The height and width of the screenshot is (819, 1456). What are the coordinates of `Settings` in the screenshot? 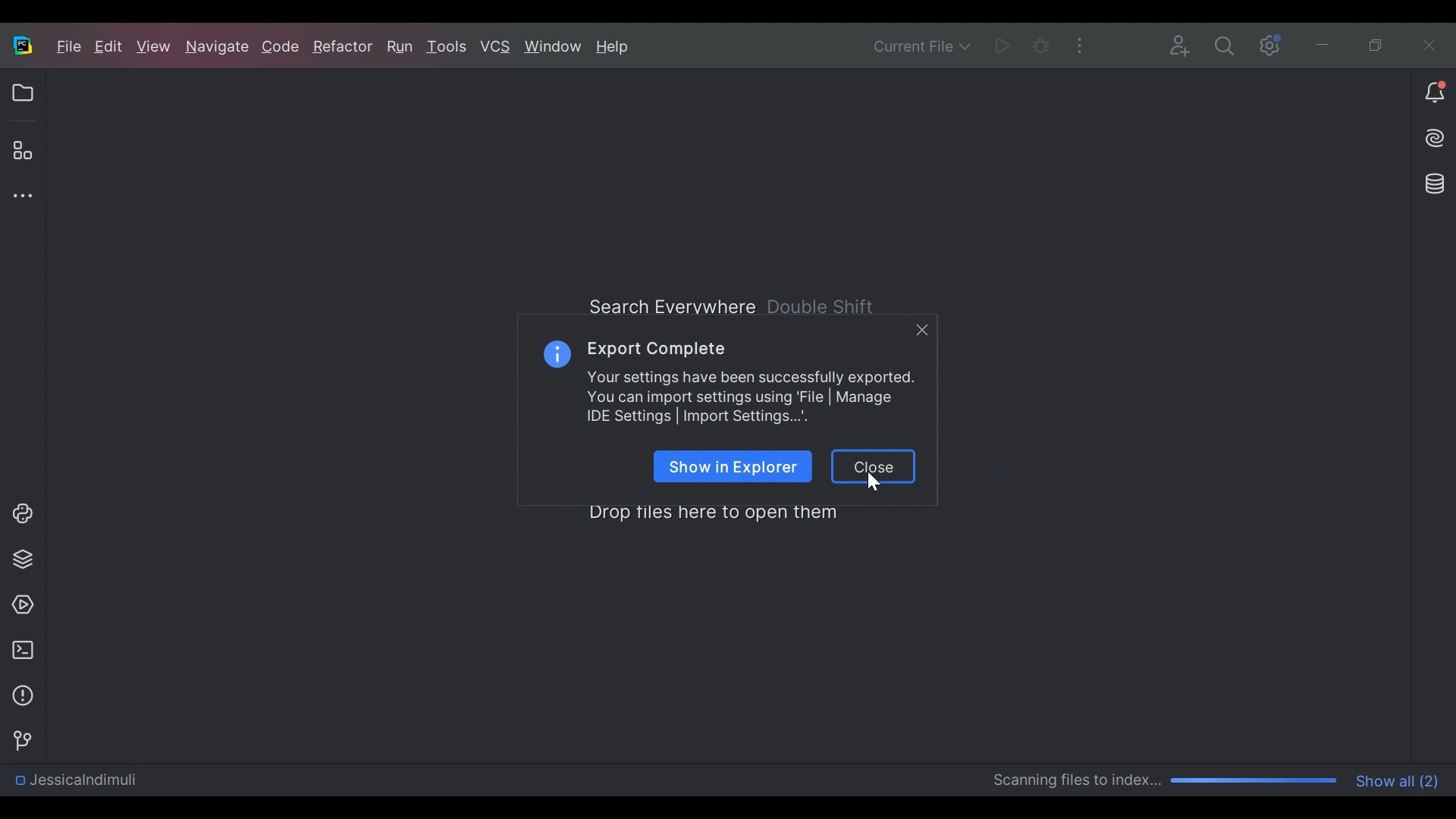 It's located at (1224, 45).